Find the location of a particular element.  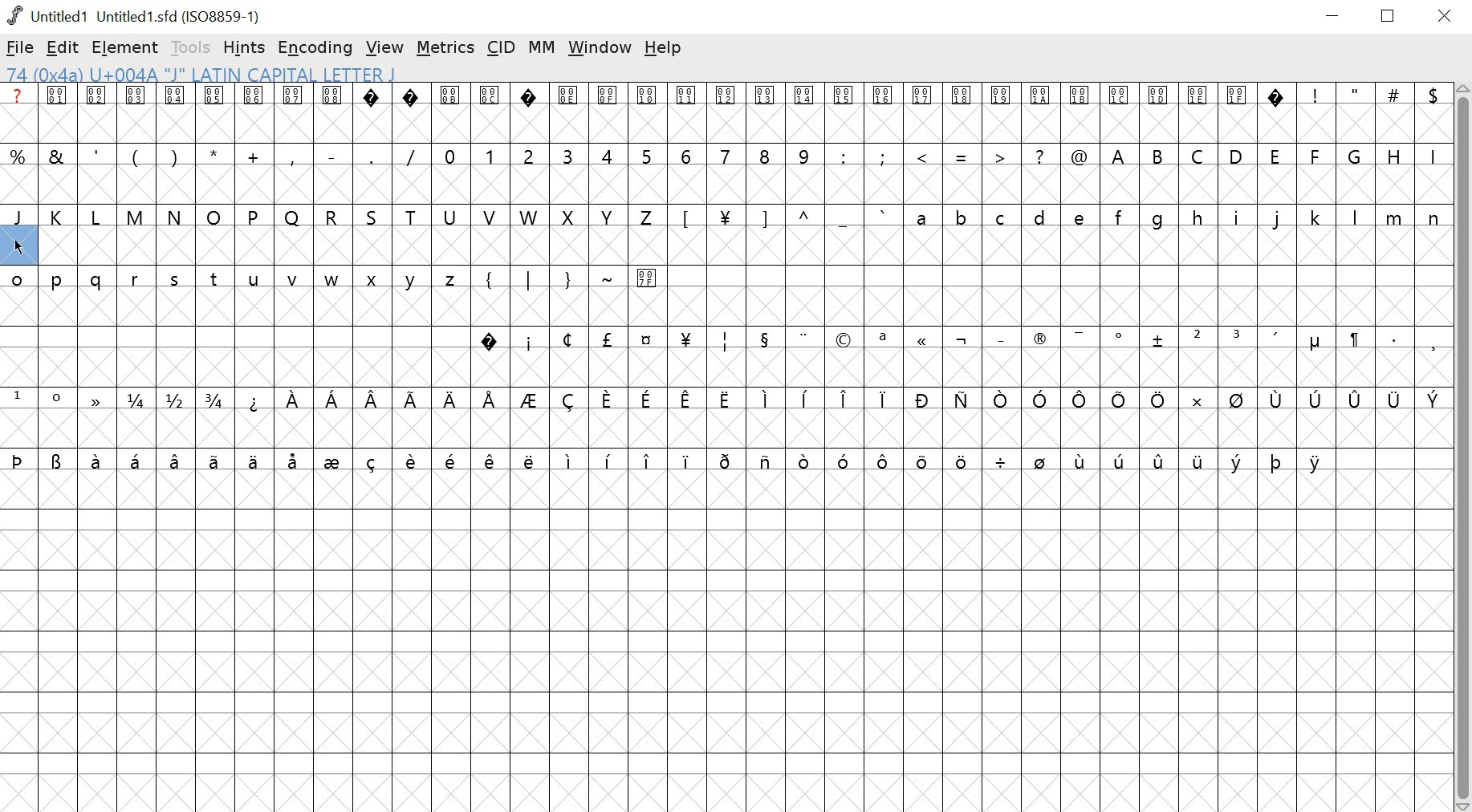

minimize is located at coordinates (1332, 17).